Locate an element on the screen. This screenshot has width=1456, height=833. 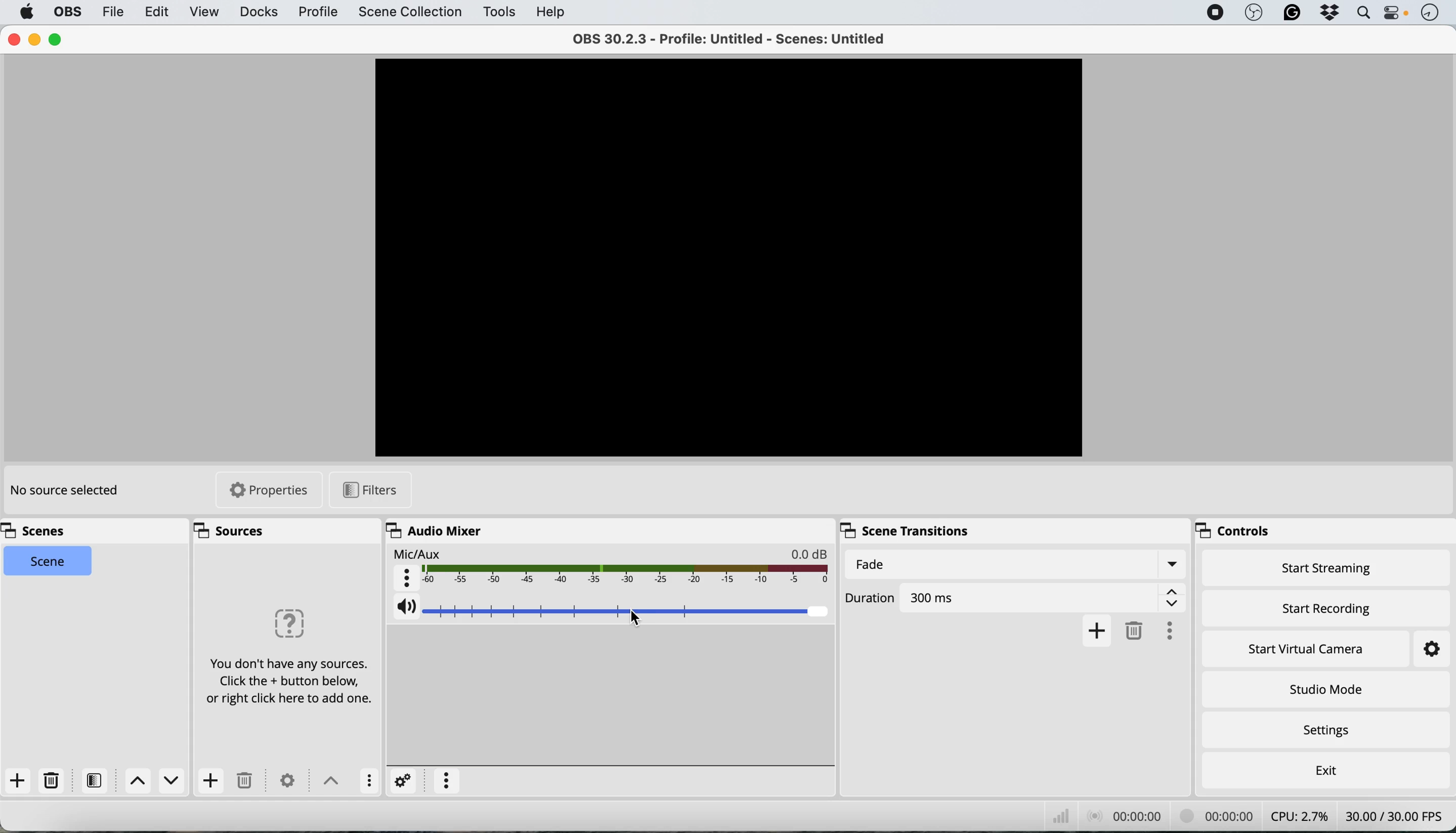
add scene is located at coordinates (15, 780).